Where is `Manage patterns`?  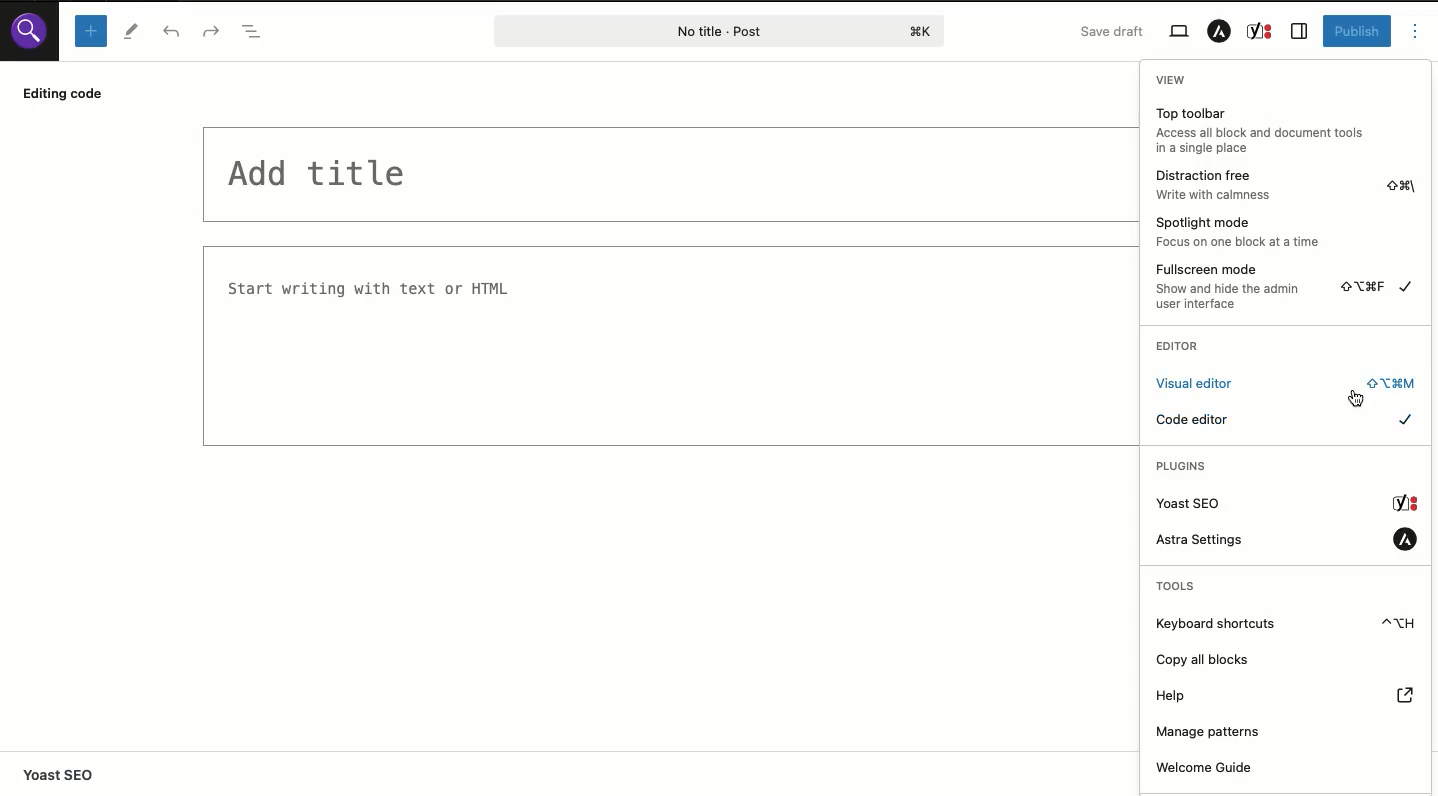
Manage patterns is located at coordinates (1207, 732).